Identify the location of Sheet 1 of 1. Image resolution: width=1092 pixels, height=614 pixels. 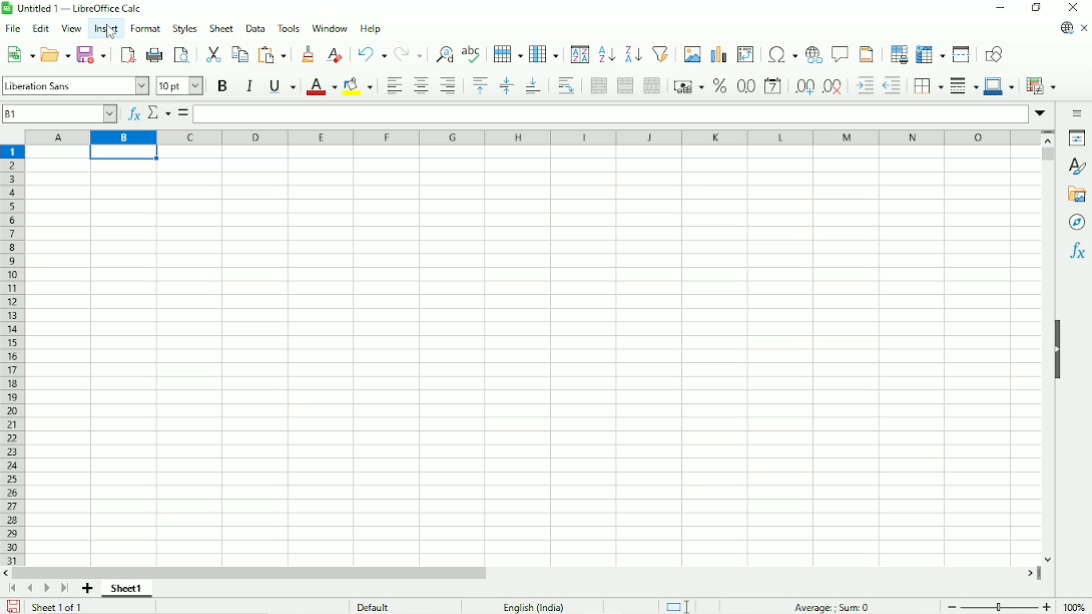
(56, 607).